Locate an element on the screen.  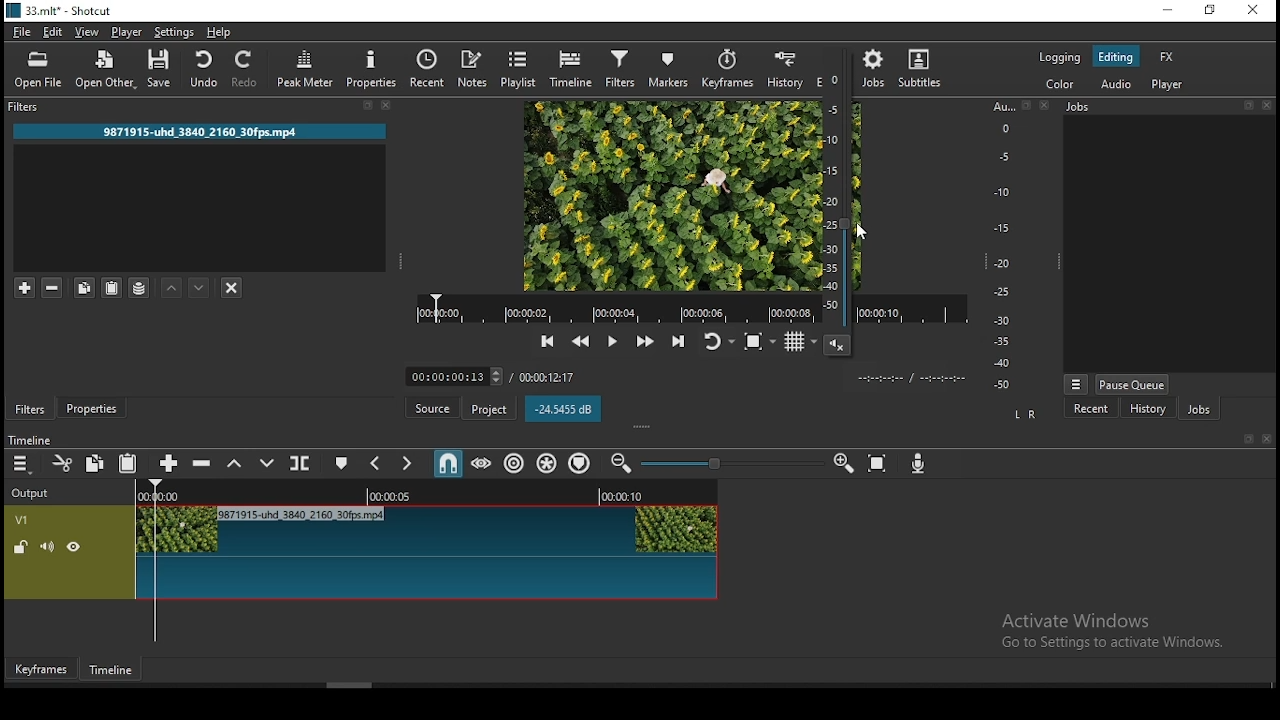
remove selected filters is located at coordinates (53, 289).